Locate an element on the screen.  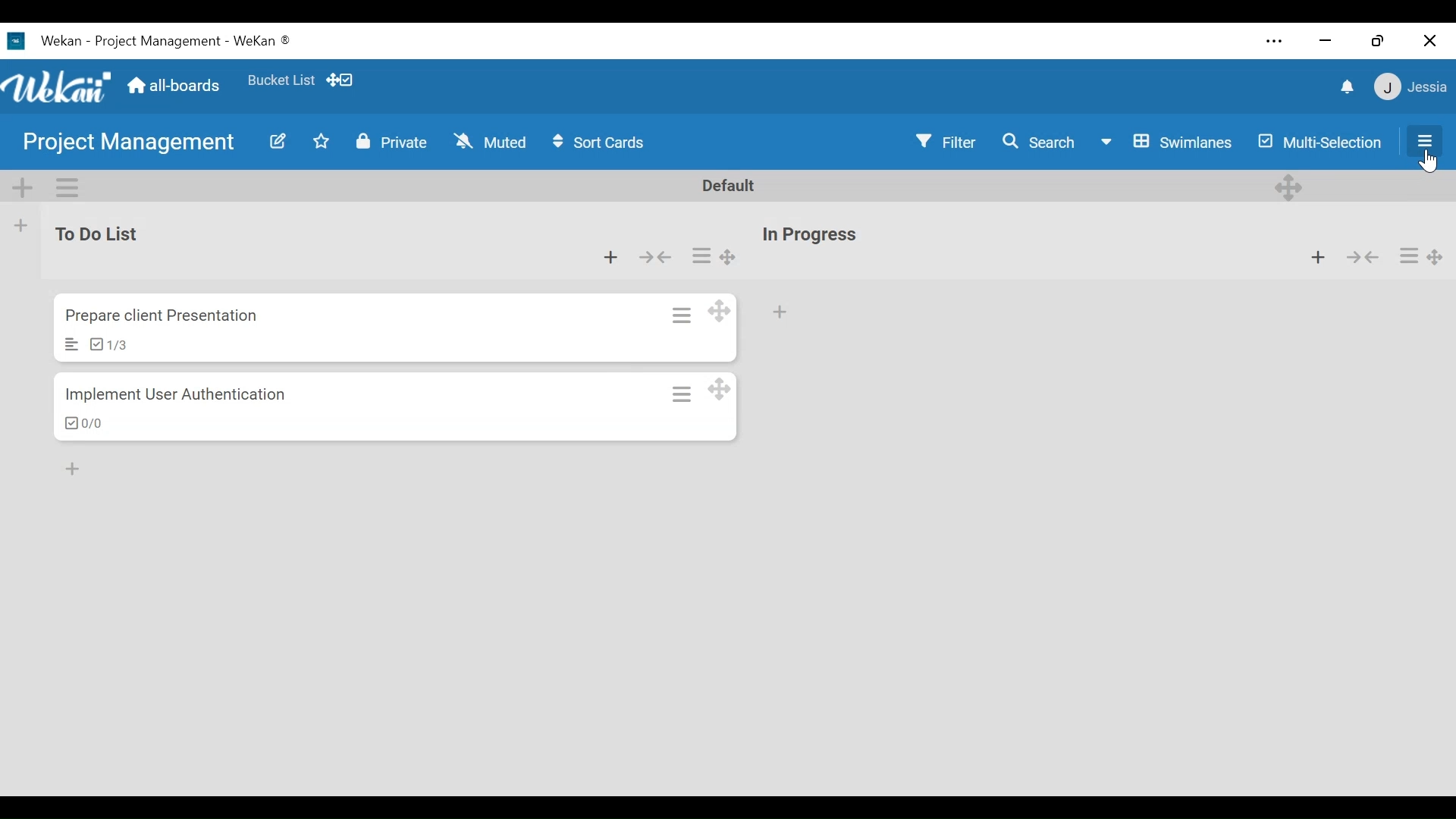
notifications is located at coordinates (1348, 86).